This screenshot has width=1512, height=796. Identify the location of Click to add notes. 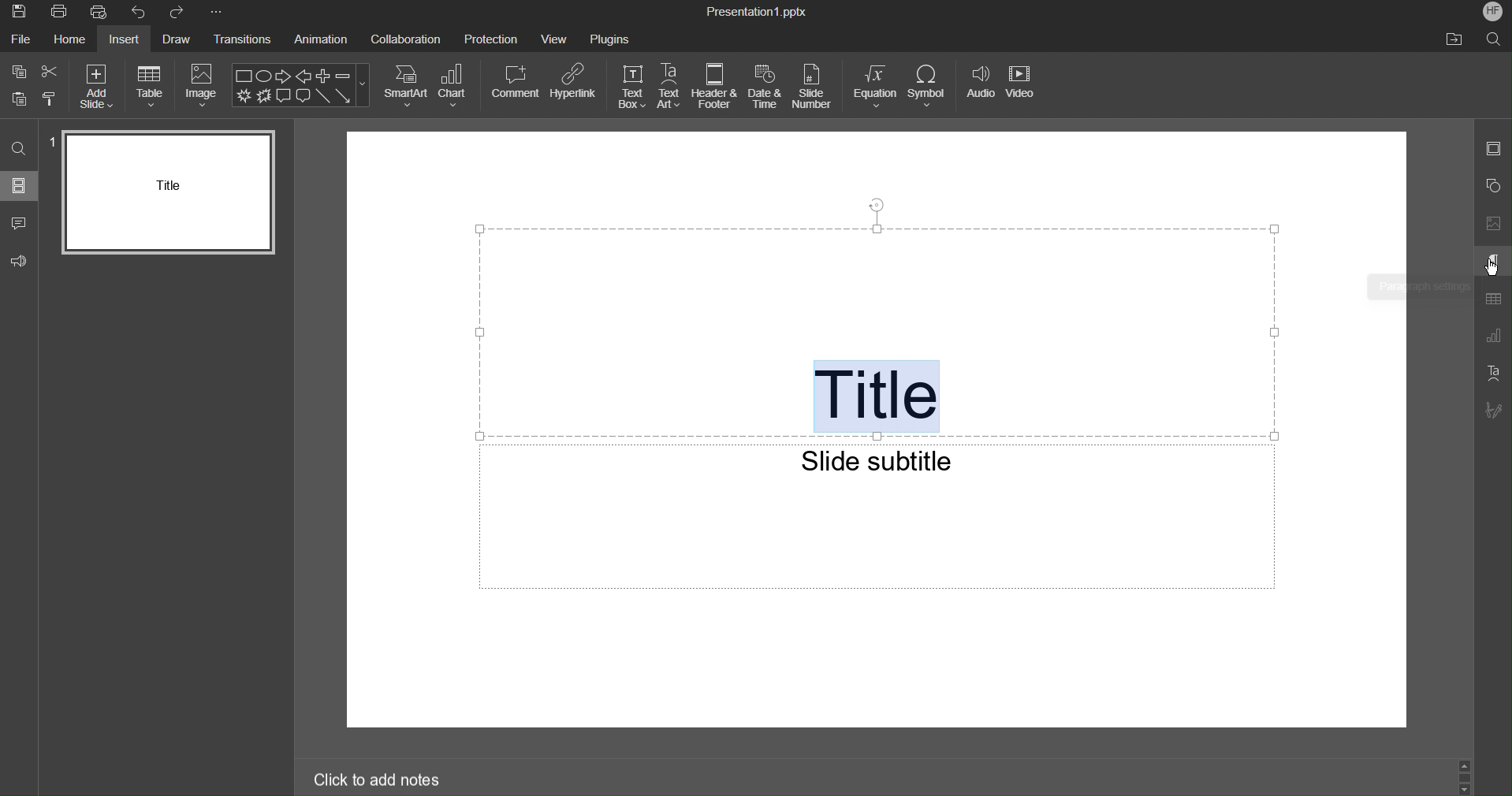
(378, 778).